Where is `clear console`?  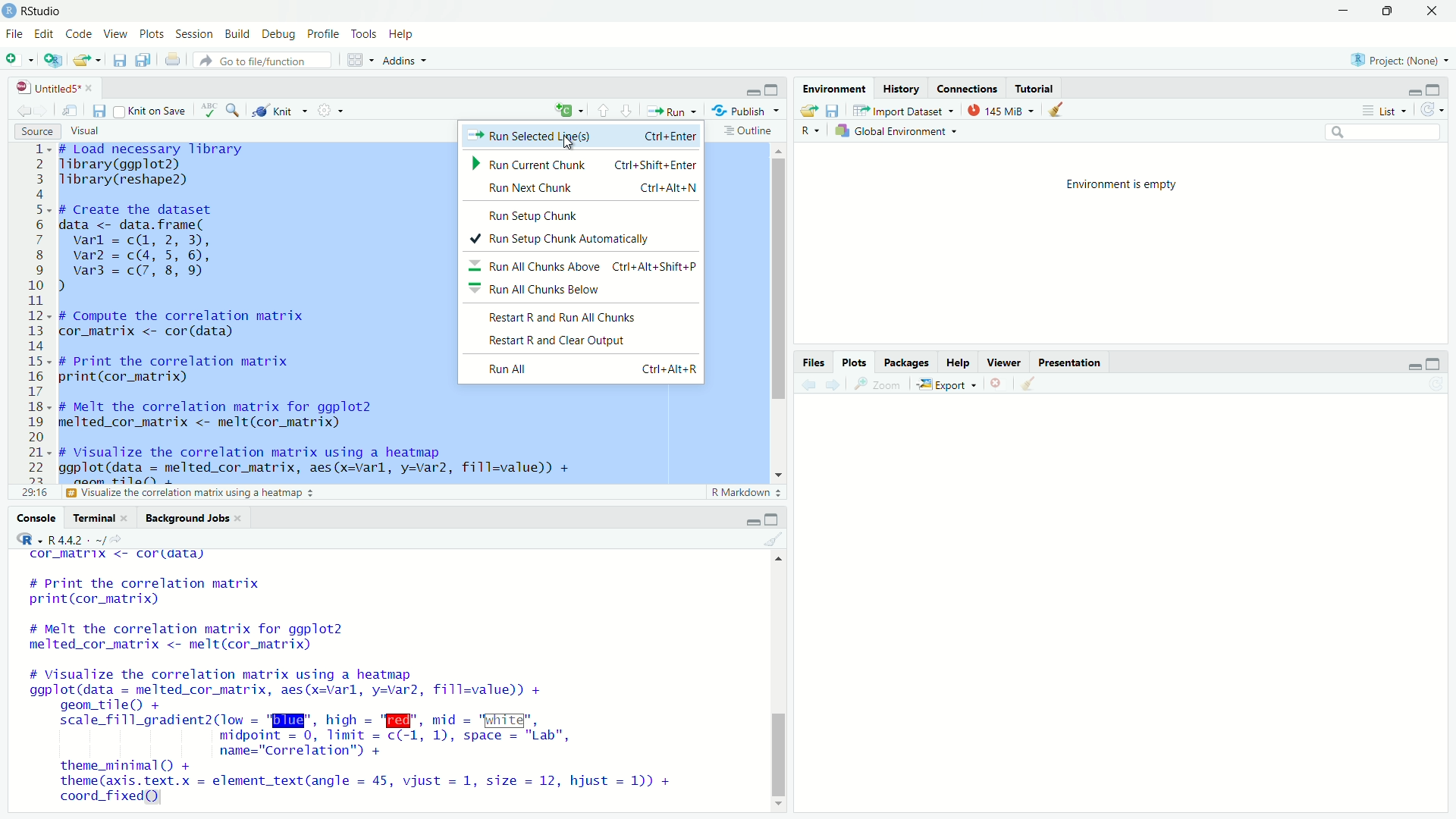
clear console is located at coordinates (777, 538).